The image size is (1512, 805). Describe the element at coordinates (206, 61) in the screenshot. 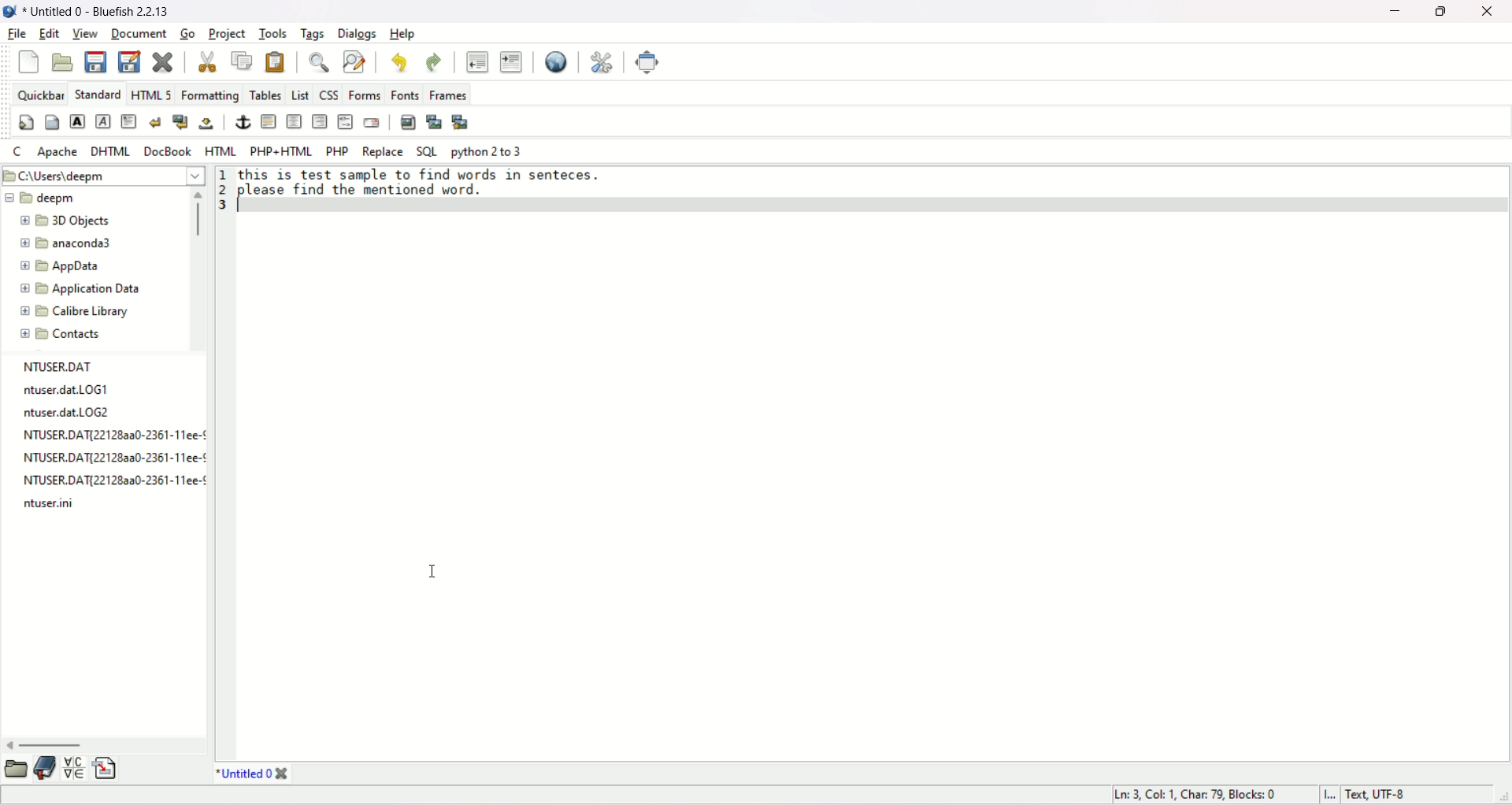

I see `cut` at that location.